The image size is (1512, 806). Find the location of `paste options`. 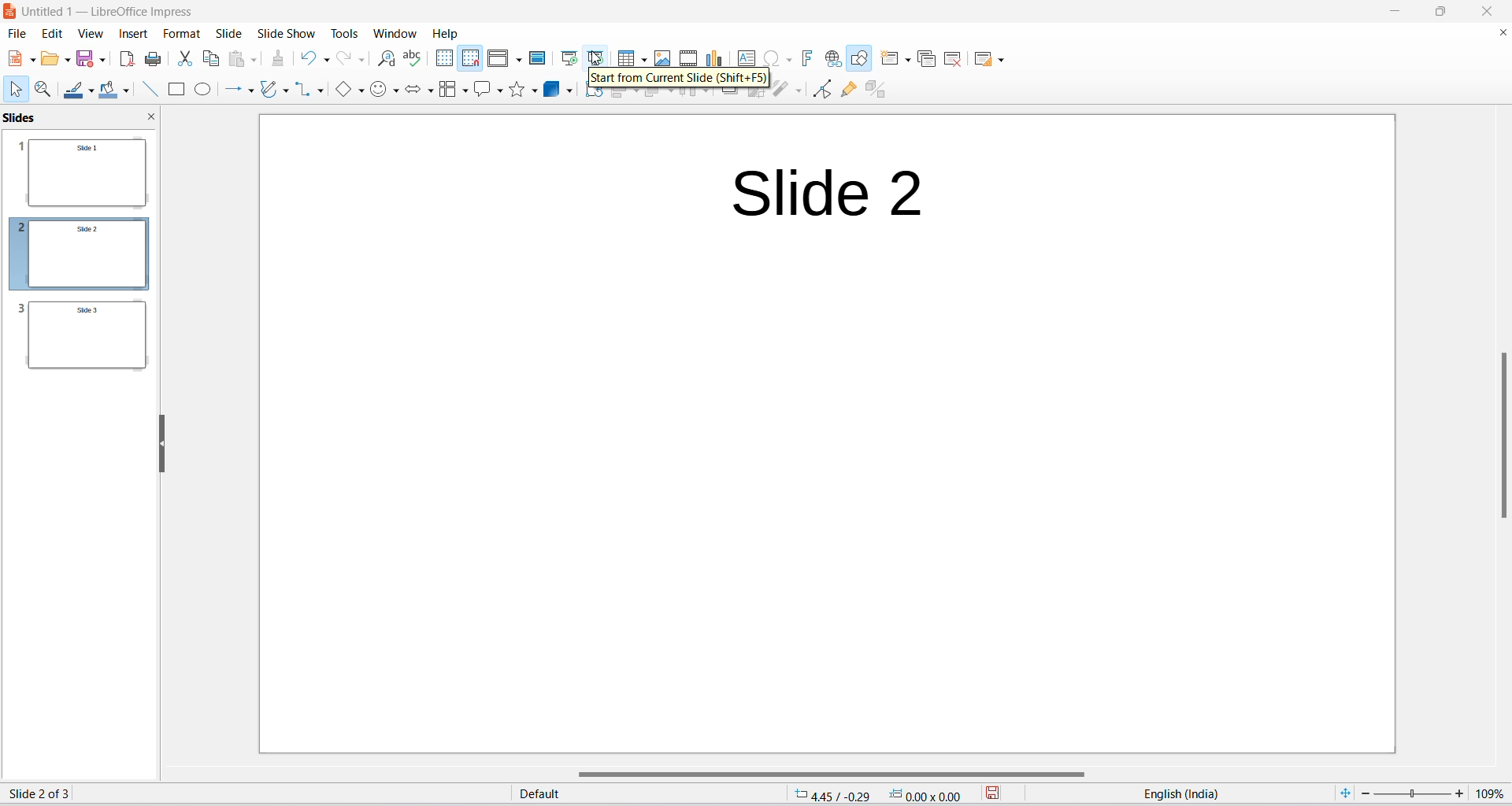

paste options is located at coordinates (256, 59).